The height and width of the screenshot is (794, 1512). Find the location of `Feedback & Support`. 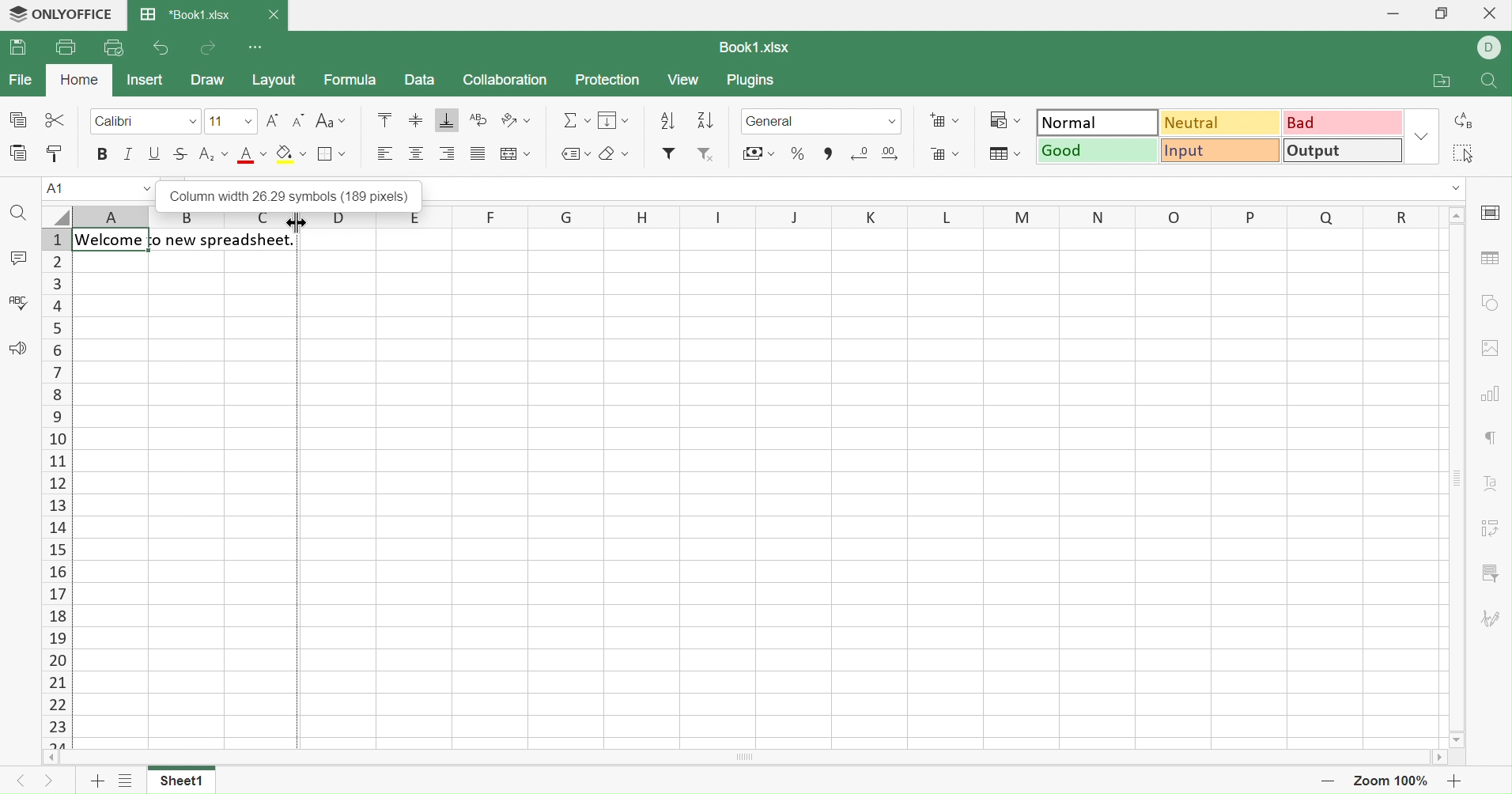

Feedback & Support is located at coordinates (19, 347).